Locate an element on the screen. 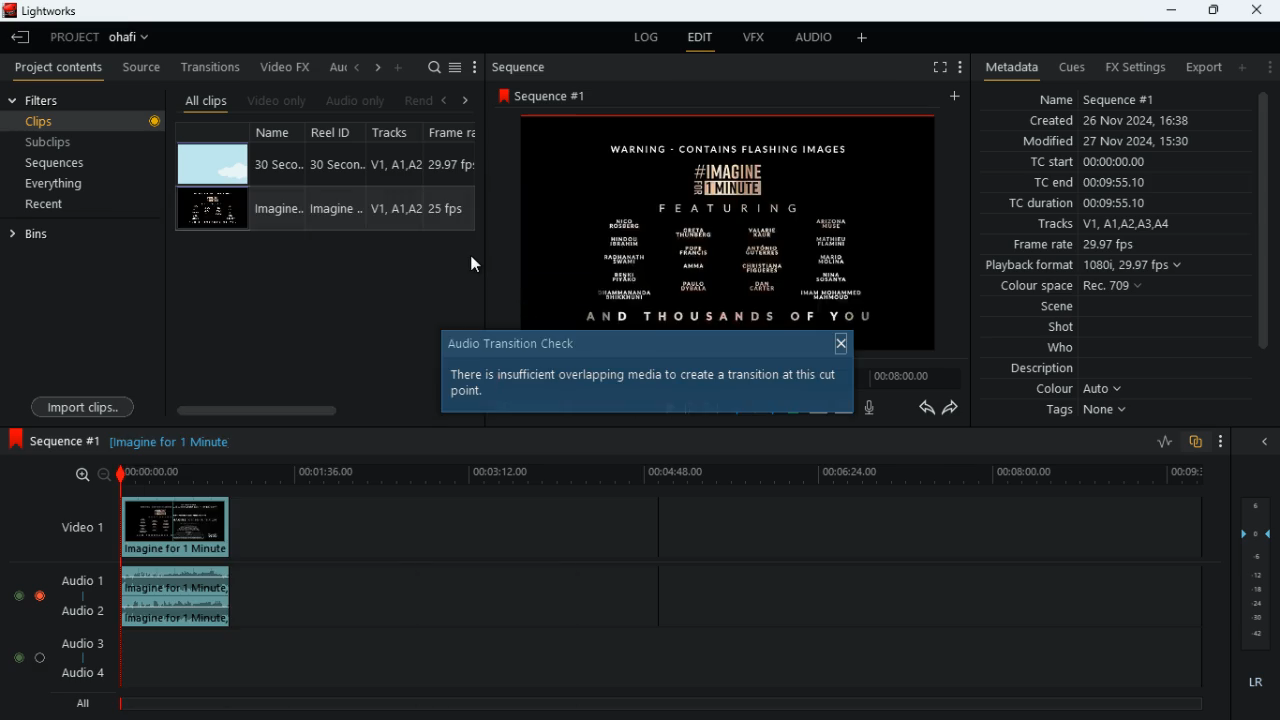 This screenshot has width=1280, height=720. tc start is located at coordinates (1086, 163).